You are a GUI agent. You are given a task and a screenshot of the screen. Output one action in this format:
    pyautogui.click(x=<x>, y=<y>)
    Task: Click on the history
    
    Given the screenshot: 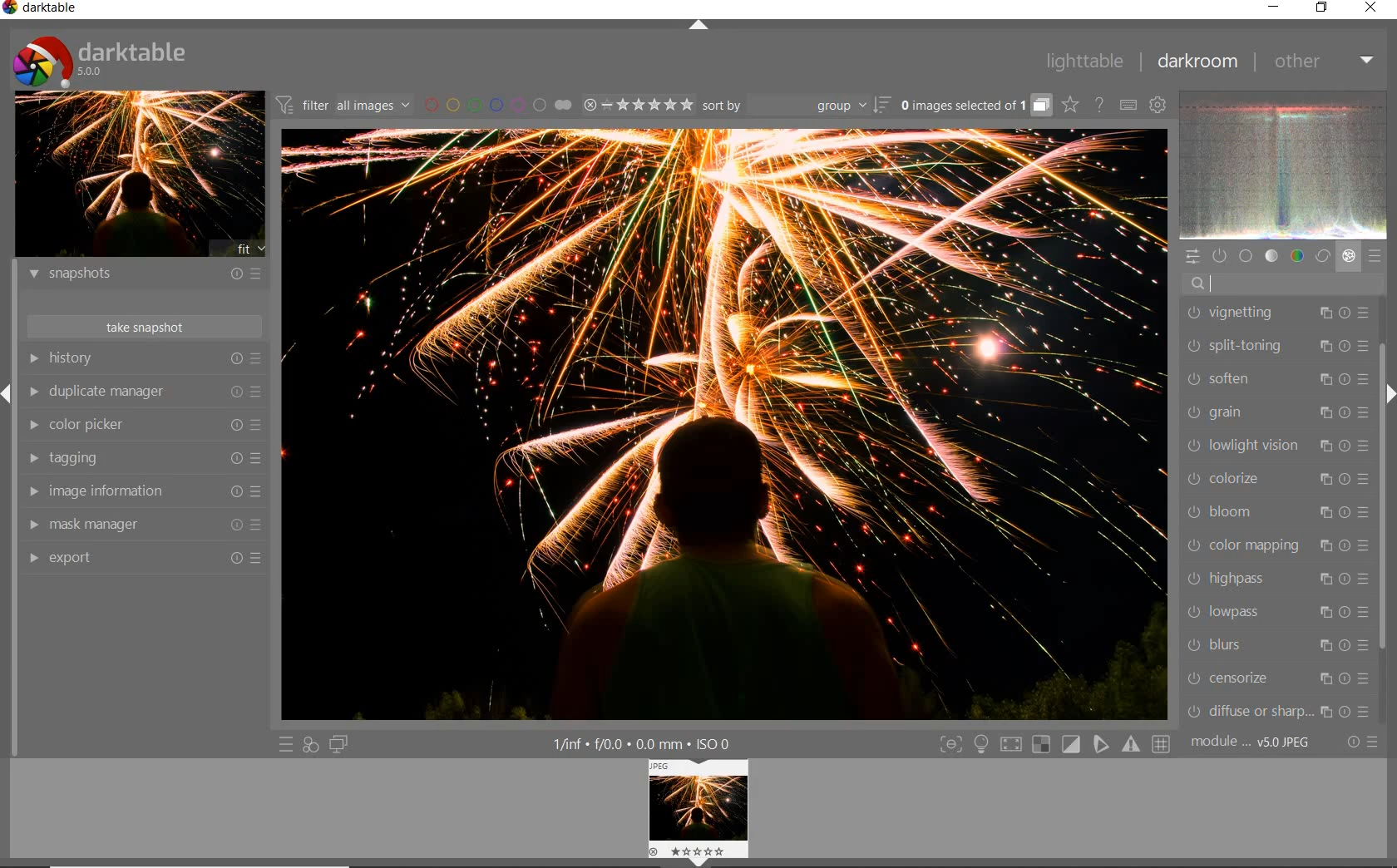 What is the action you would take?
    pyautogui.click(x=146, y=360)
    